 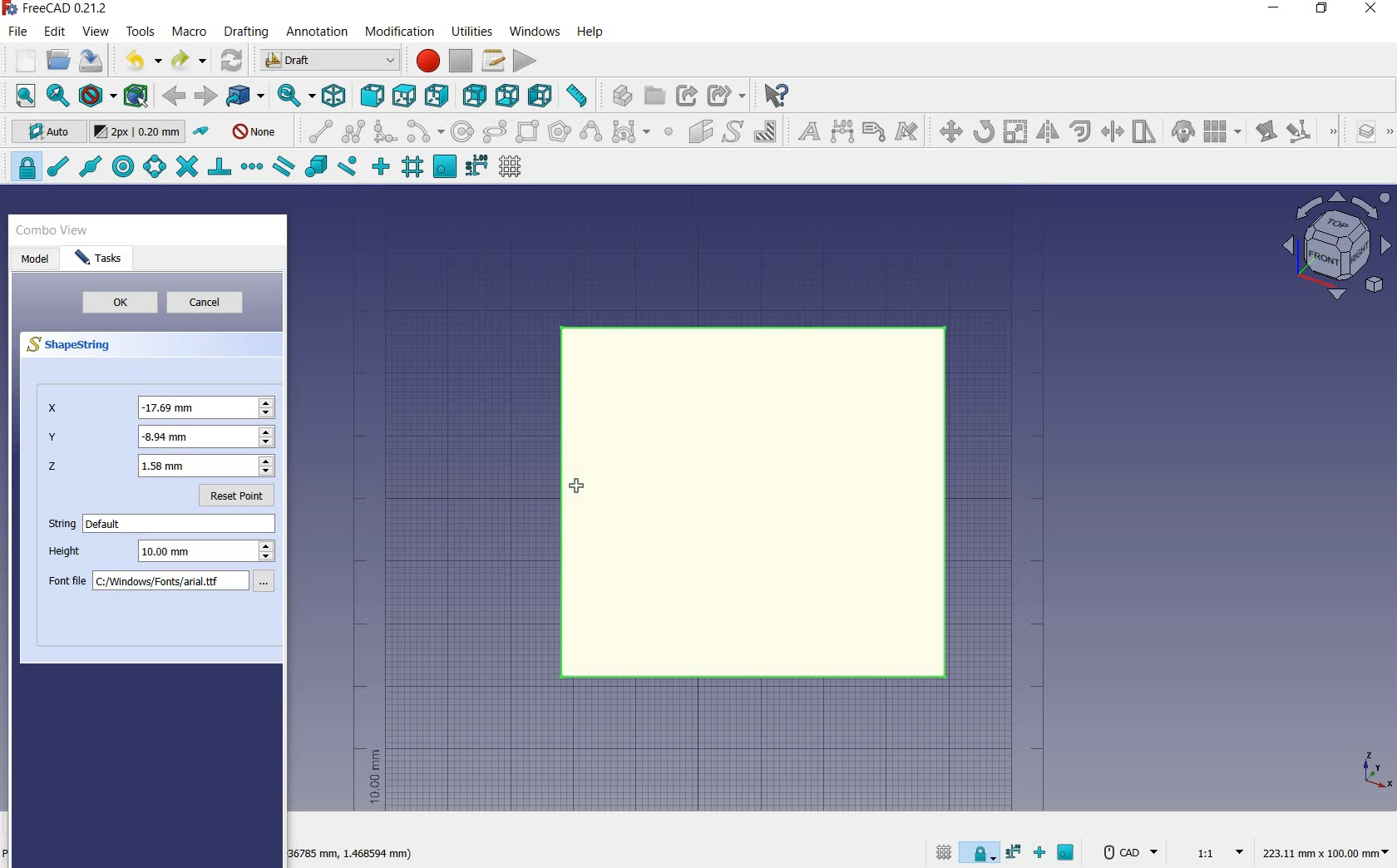 What do you see at coordinates (805, 132) in the screenshot?
I see `text` at bounding box center [805, 132].